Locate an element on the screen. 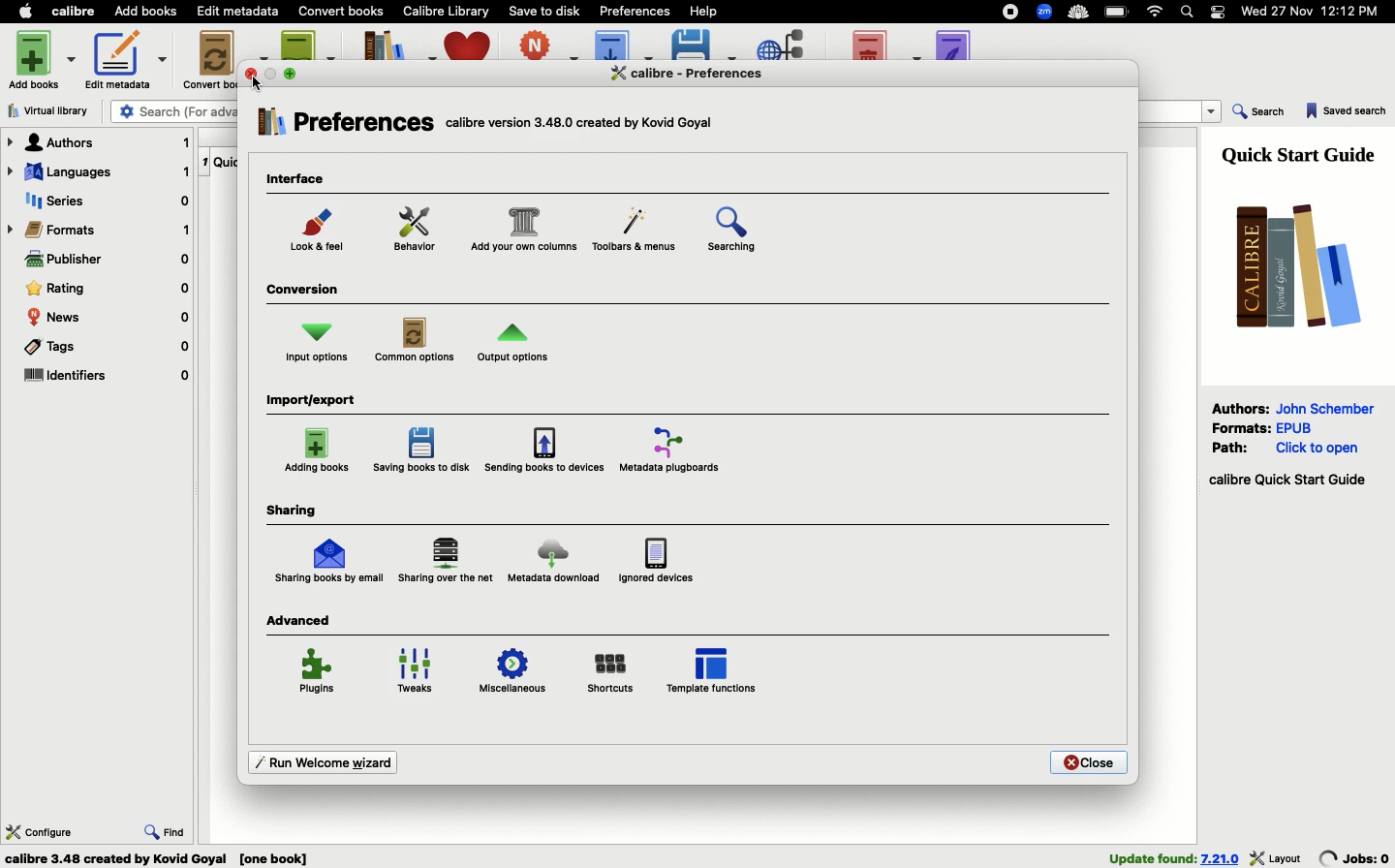 The height and width of the screenshot is (868, 1395). Ignored devices is located at coordinates (655, 559).